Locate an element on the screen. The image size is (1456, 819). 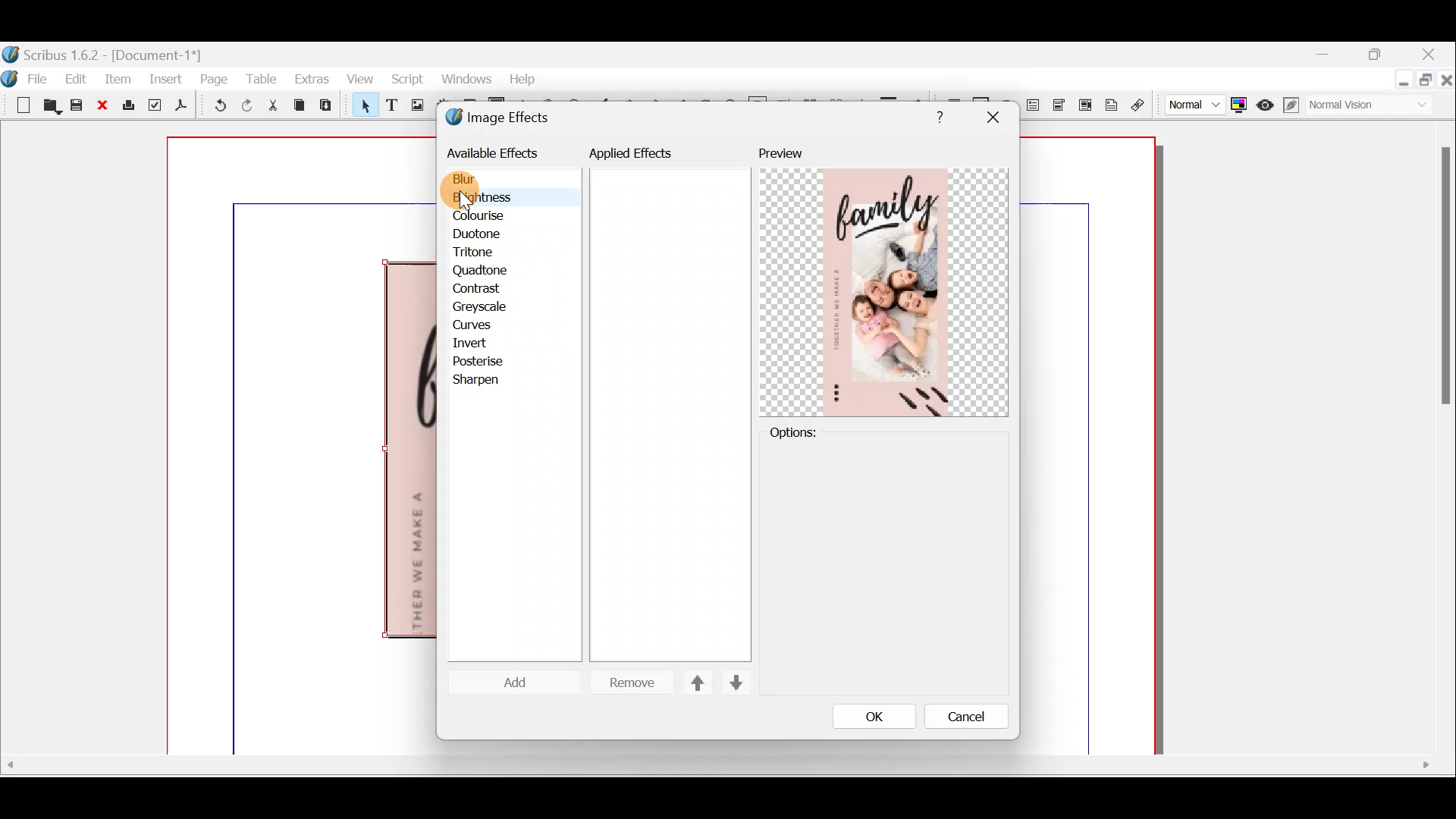
Open is located at coordinates (52, 108).